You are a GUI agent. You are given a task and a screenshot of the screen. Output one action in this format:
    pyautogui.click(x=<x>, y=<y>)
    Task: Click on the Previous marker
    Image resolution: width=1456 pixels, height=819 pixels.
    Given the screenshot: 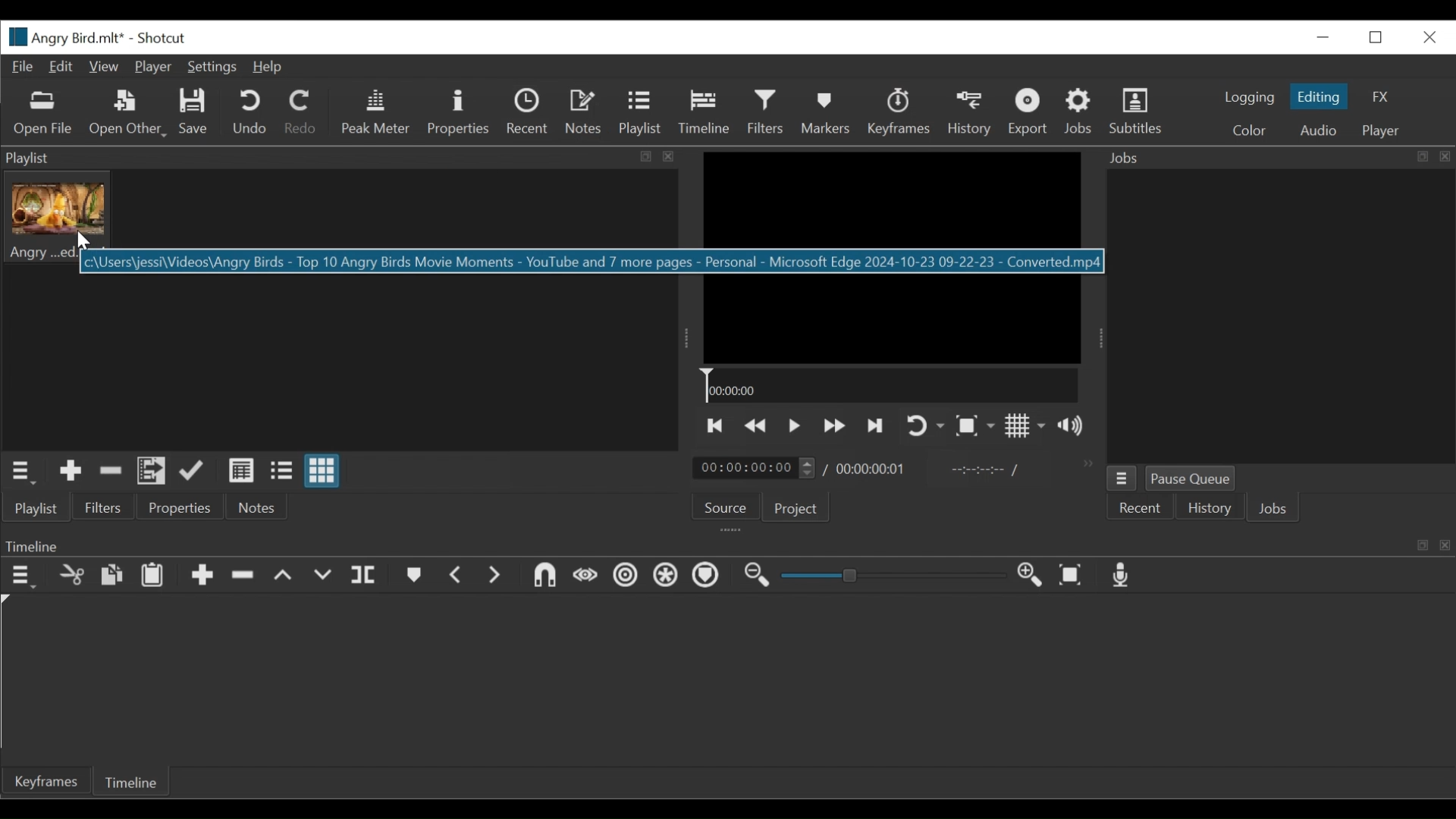 What is the action you would take?
    pyautogui.click(x=457, y=576)
    